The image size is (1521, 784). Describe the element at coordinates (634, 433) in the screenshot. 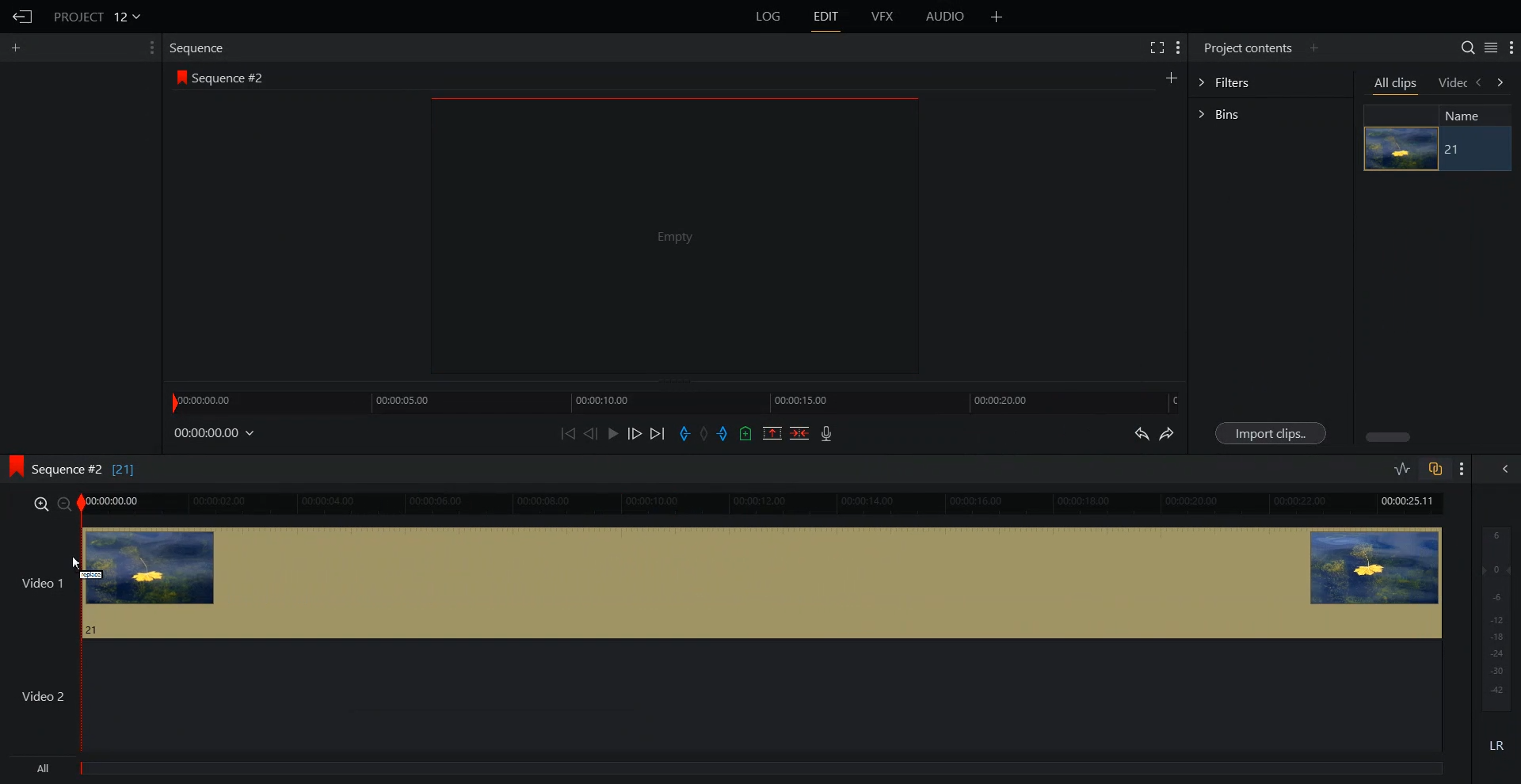

I see `Nudge One frame Forwards` at that location.